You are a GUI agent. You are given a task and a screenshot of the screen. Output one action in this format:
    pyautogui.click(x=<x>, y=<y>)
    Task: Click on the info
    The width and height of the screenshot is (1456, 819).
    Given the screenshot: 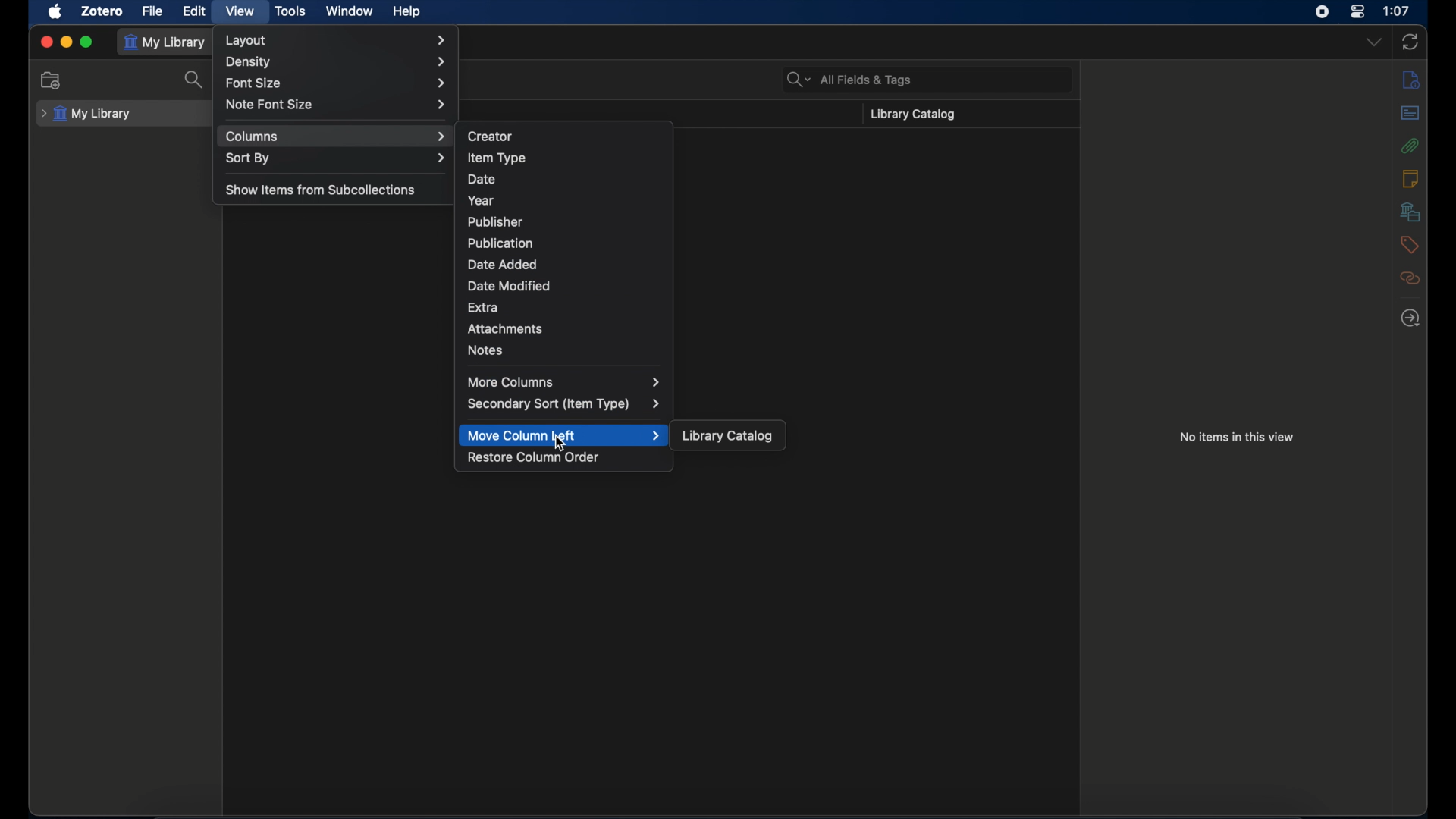 What is the action you would take?
    pyautogui.click(x=1411, y=80)
    